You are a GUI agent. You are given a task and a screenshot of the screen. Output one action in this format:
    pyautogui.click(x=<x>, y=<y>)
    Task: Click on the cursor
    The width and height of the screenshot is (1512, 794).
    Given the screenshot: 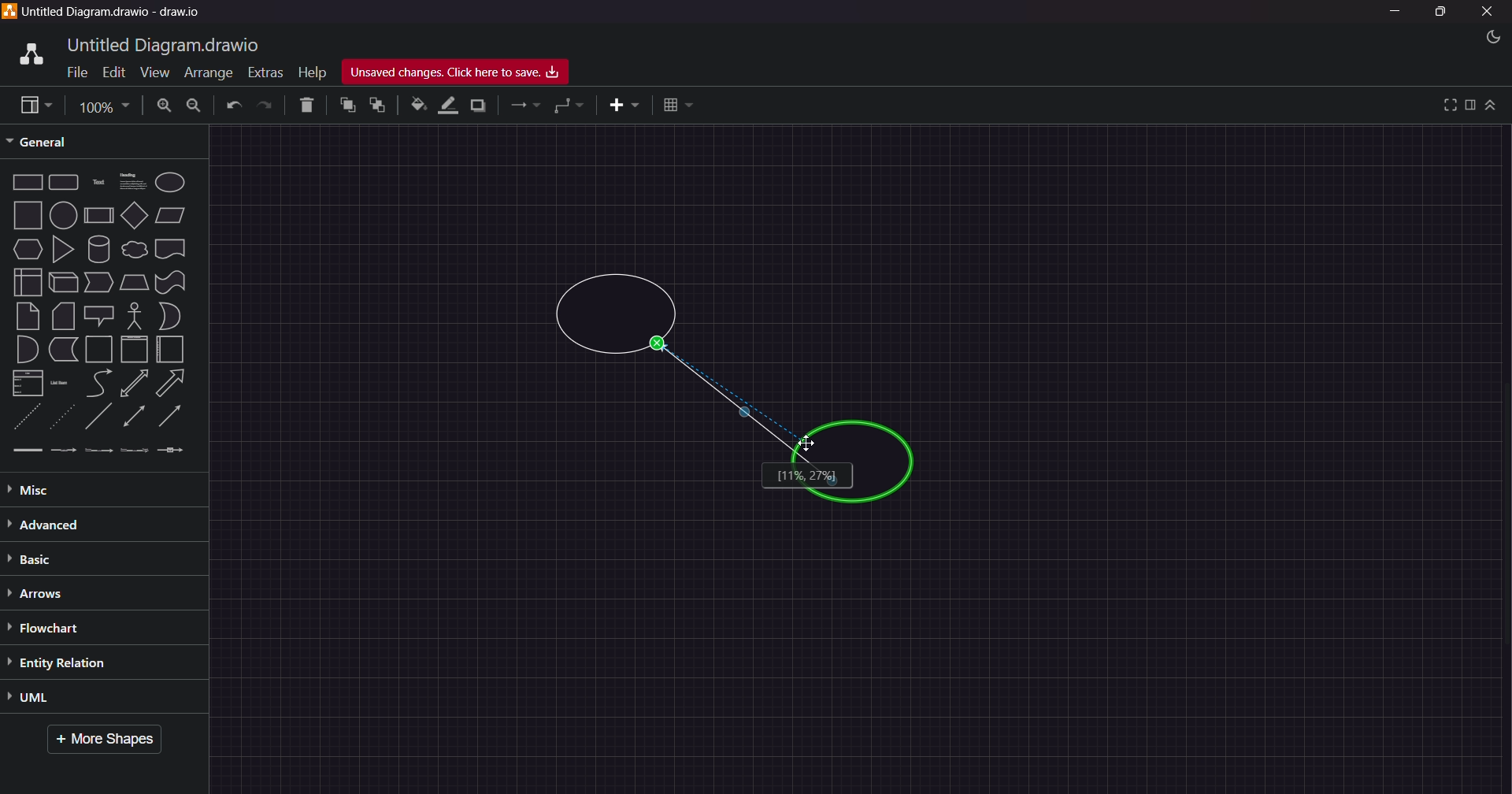 What is the action you would take?
    pyautogui.click(x=808, y=443)
    